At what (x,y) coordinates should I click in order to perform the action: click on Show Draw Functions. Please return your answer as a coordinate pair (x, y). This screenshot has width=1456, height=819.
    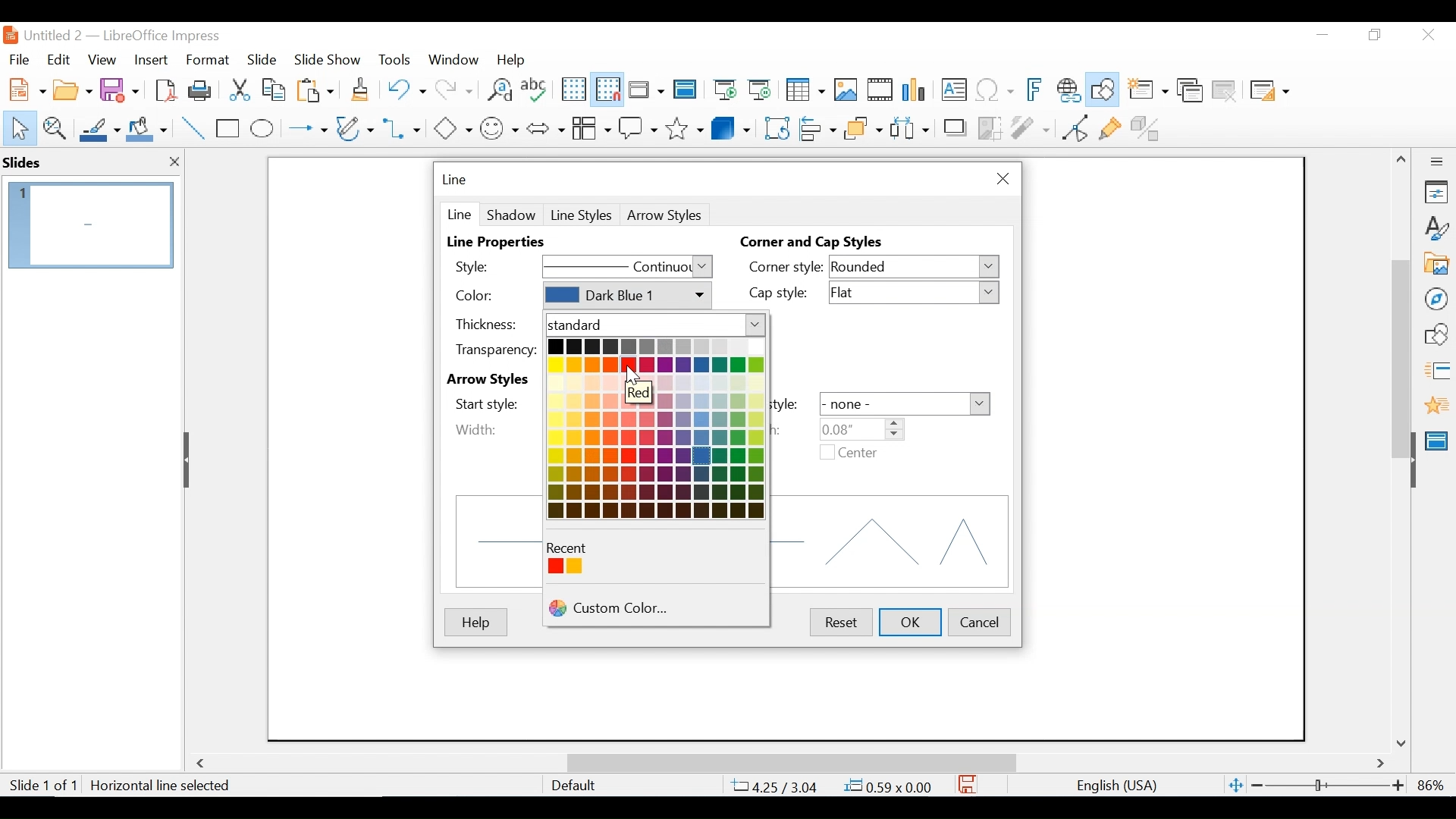
    Looking at the image, I should click on (1104, 90).